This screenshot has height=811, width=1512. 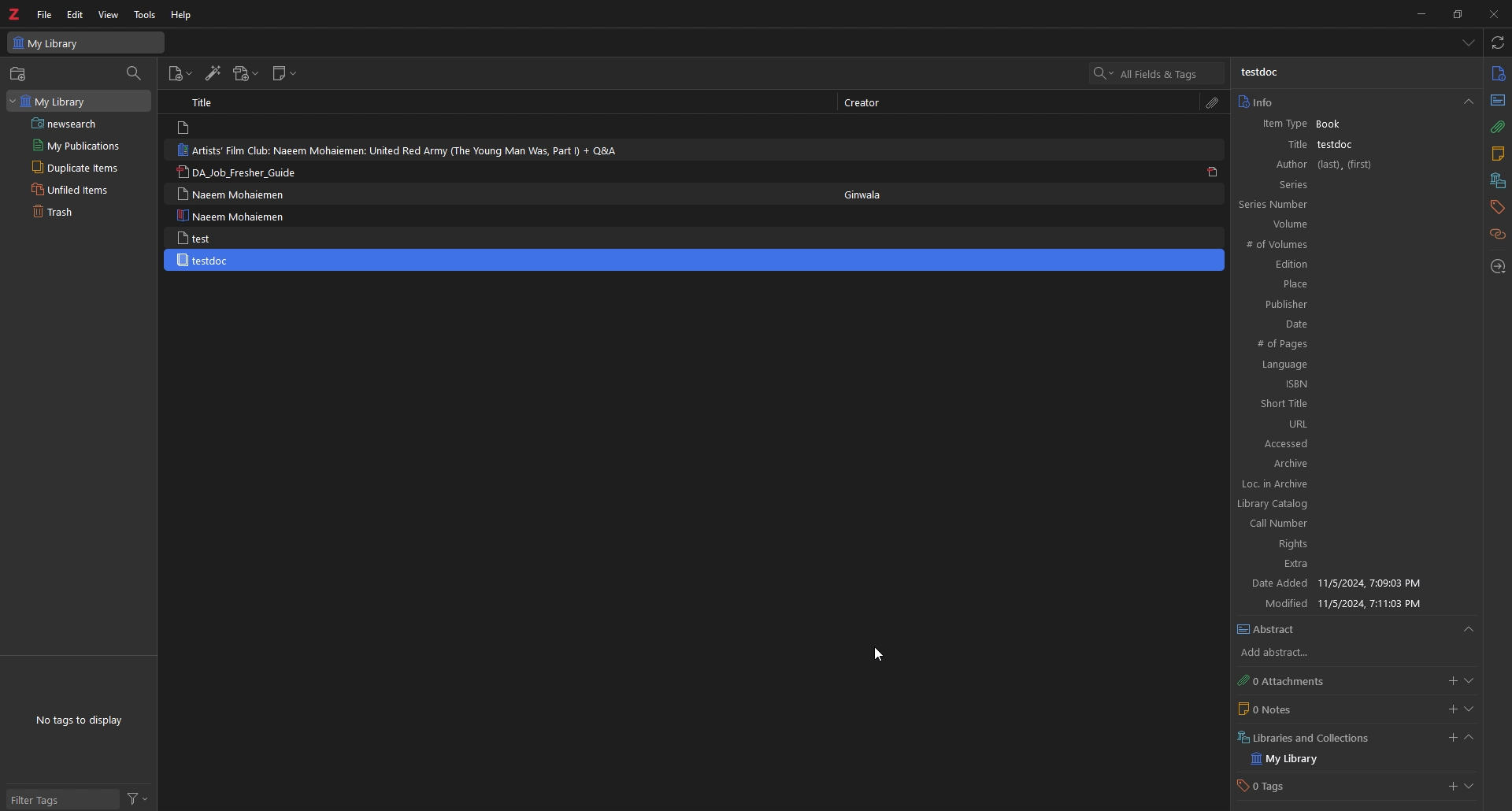 I want to click on Accessed, so click(x=1353, y=443).